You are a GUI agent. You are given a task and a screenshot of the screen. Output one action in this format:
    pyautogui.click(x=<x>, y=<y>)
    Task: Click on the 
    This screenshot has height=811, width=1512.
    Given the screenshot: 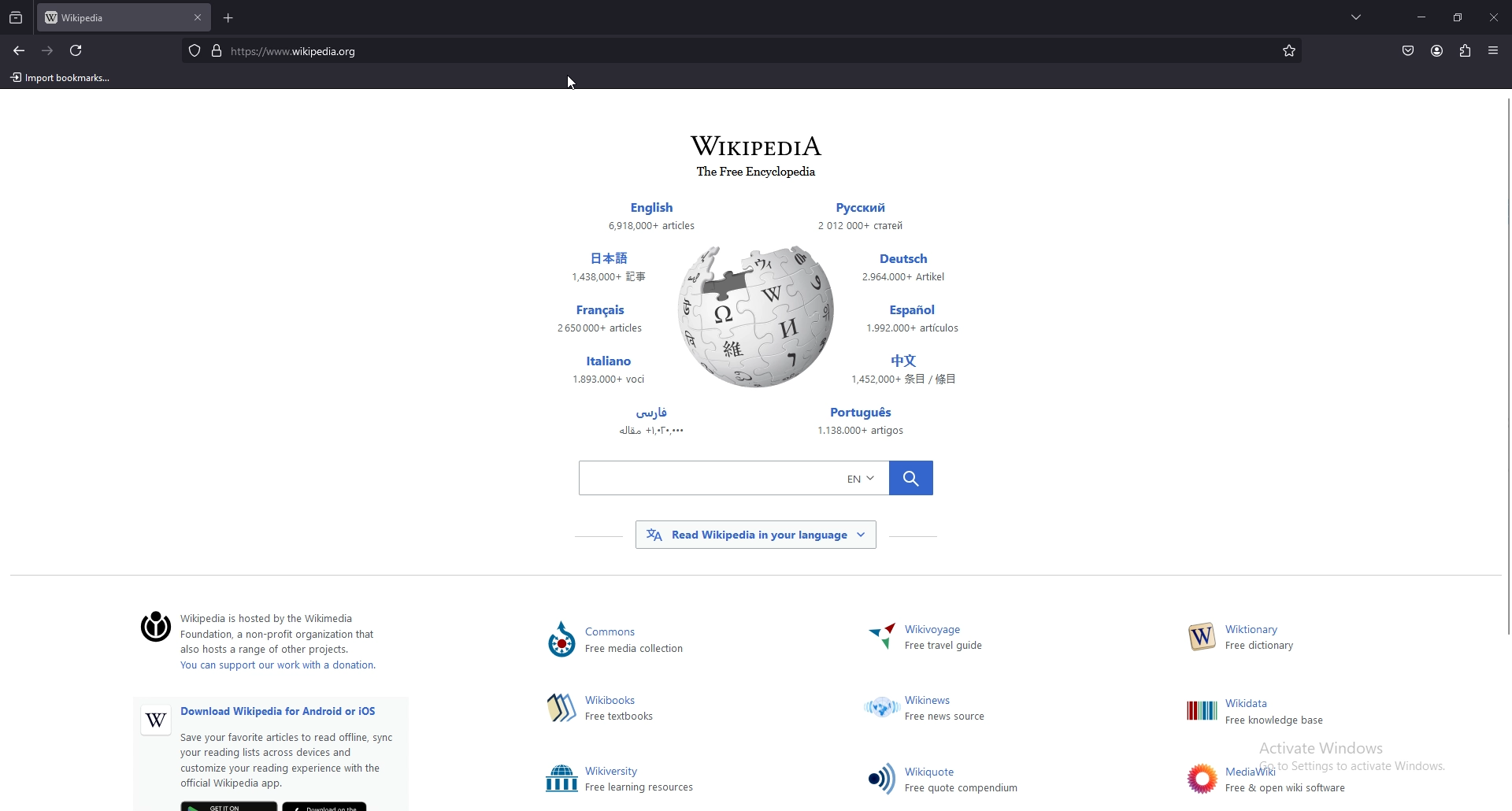 What is the action you would take?
    pyautogui.click(x=756, y=476)
    